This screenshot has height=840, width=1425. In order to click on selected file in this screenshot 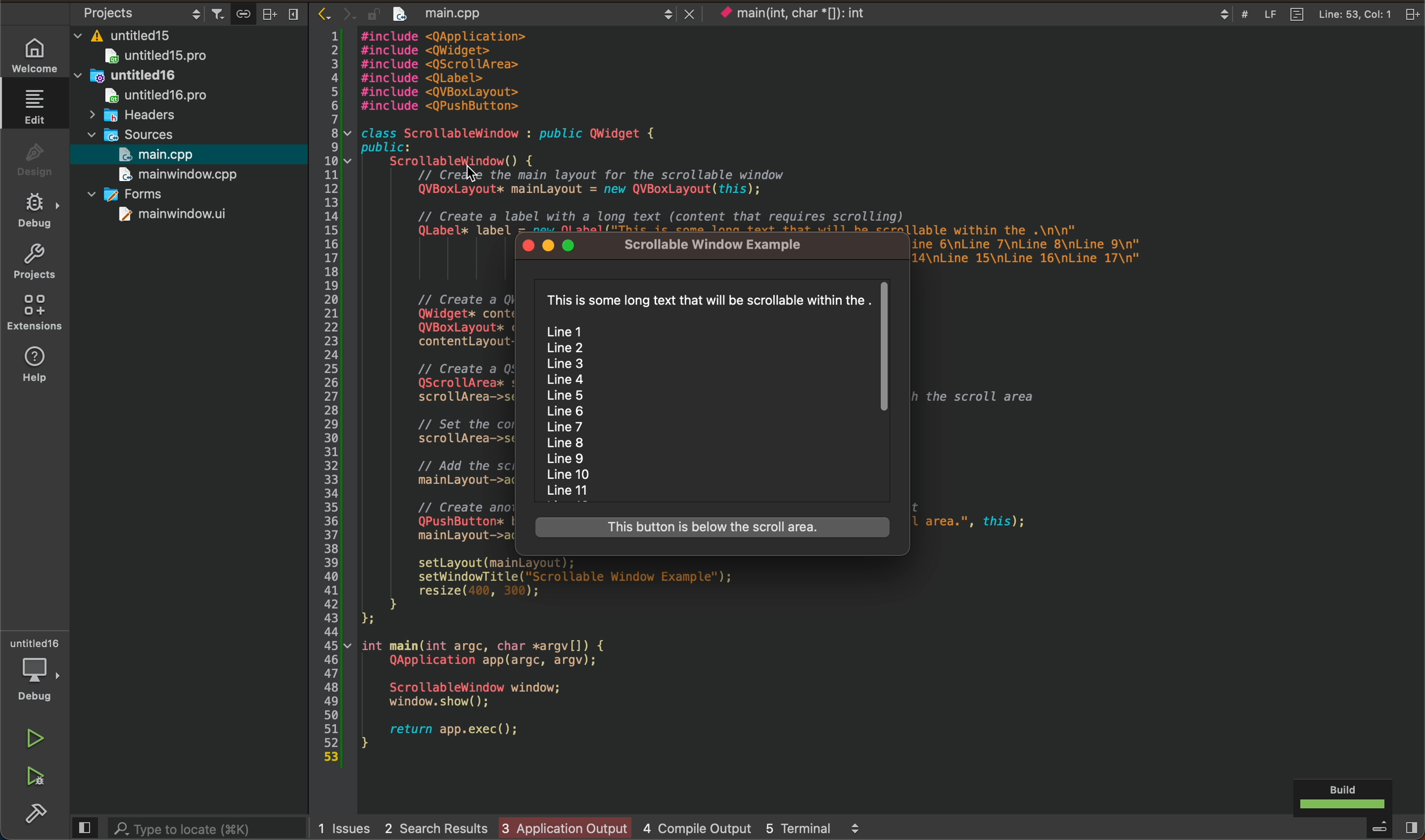, I will do `click(186, 155)`.